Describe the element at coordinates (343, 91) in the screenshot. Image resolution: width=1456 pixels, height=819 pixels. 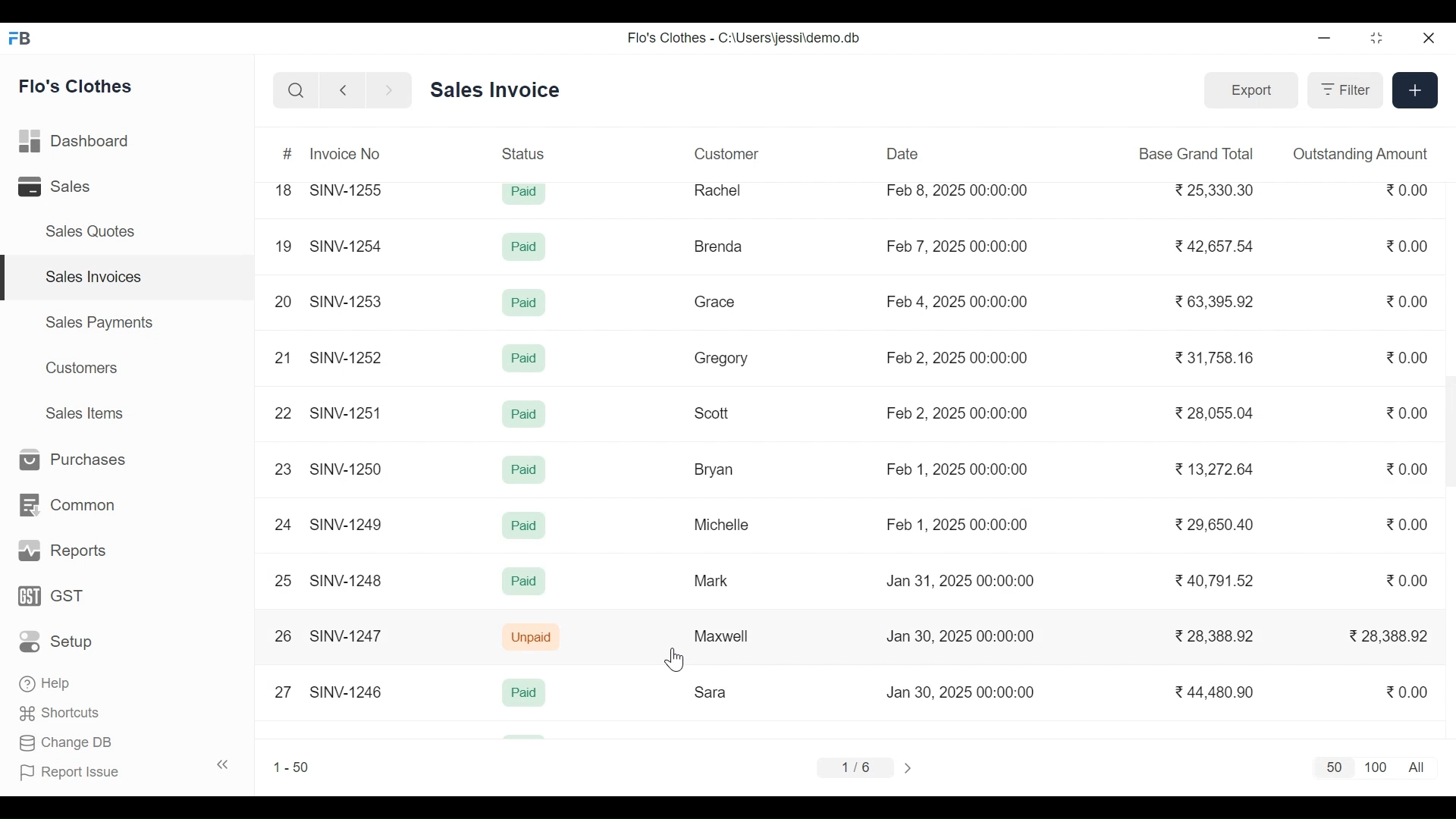
I see `Go Back` at that location.